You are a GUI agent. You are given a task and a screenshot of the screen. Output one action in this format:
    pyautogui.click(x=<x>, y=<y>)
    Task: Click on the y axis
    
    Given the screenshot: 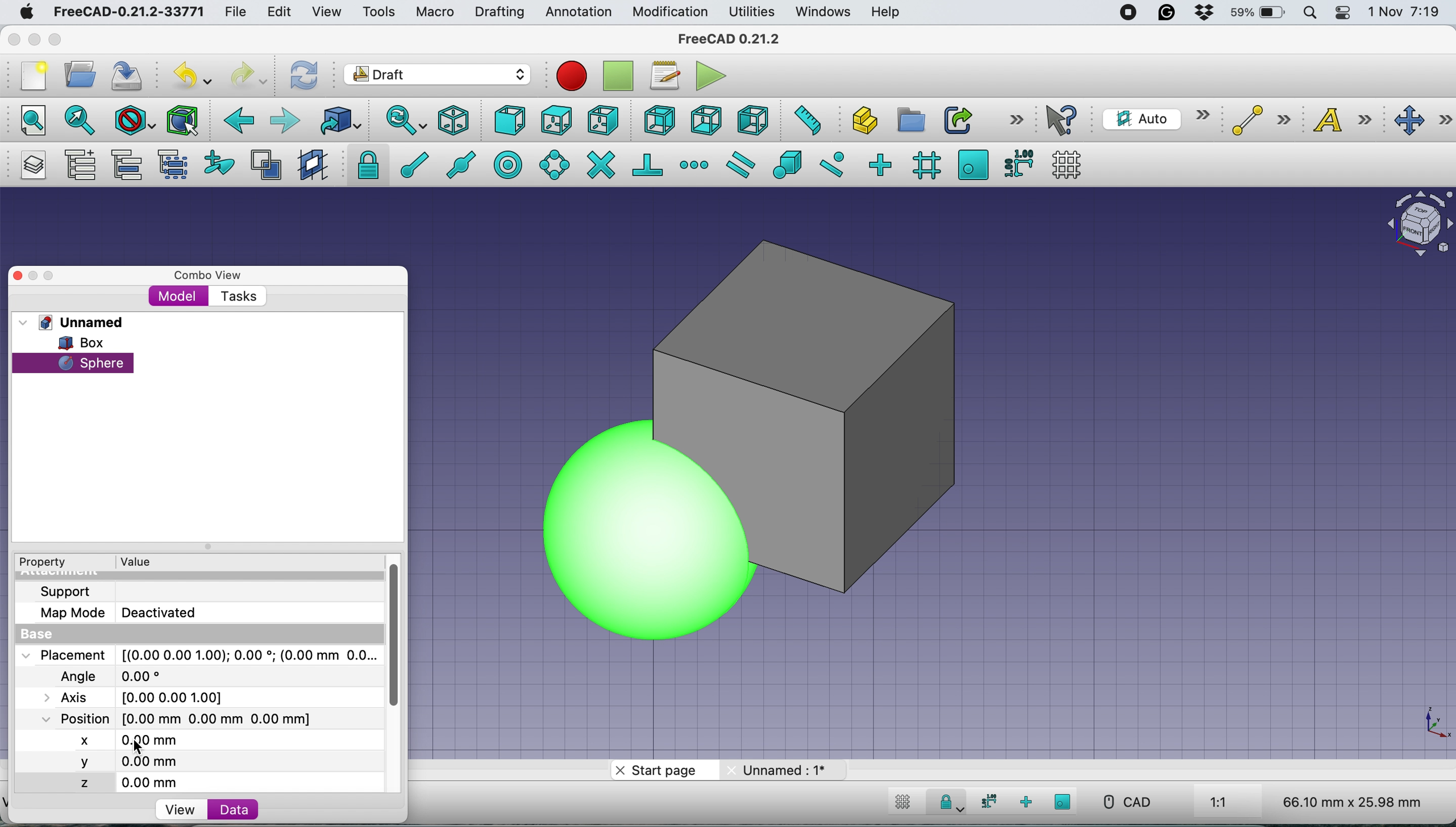 What is the action you would take?
    pyautogui.click(x=131, y=763)
    